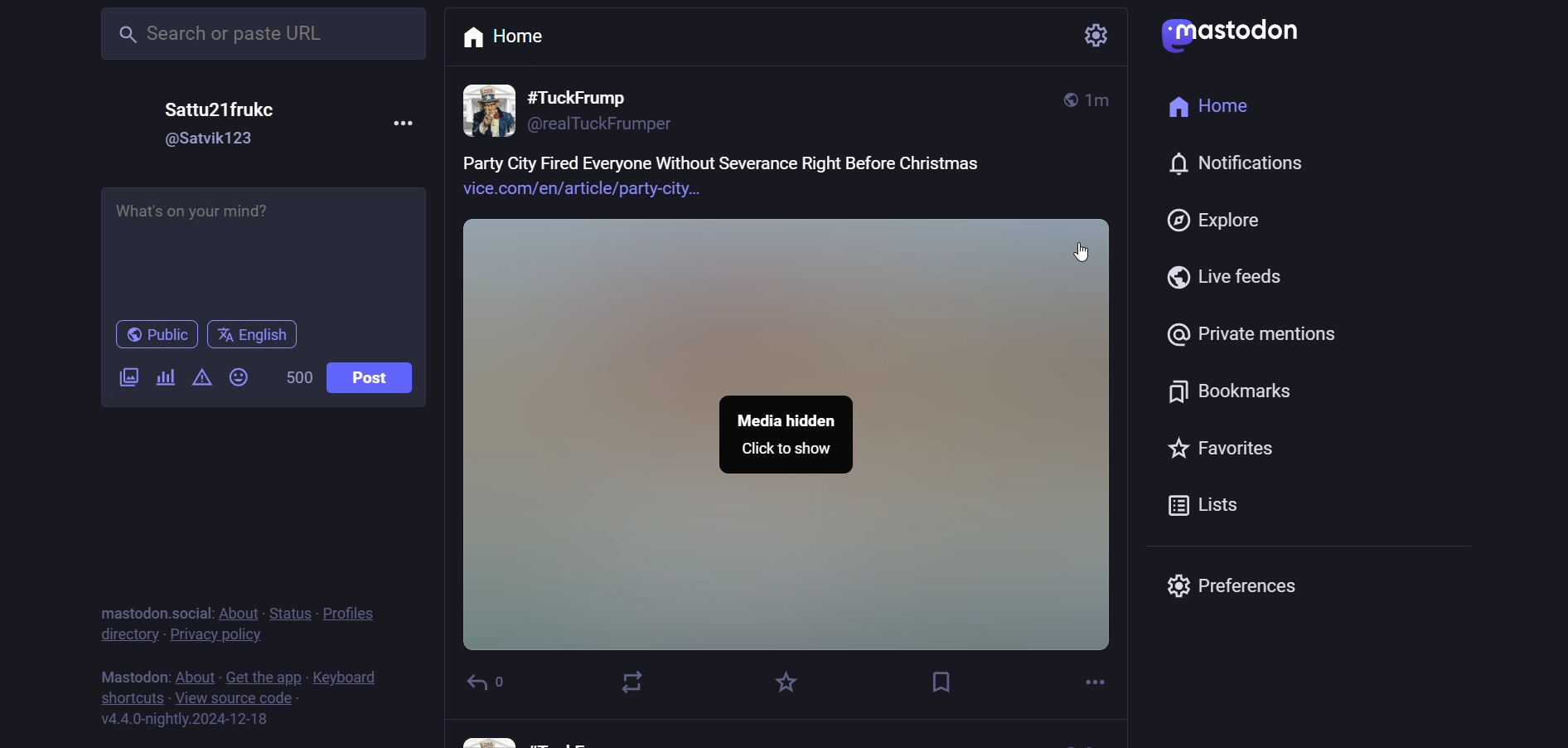 This screenshot has width=1568, height=748. Describe the element at coordinates (505, 684) in the screenshot. I see `reply` at that location.